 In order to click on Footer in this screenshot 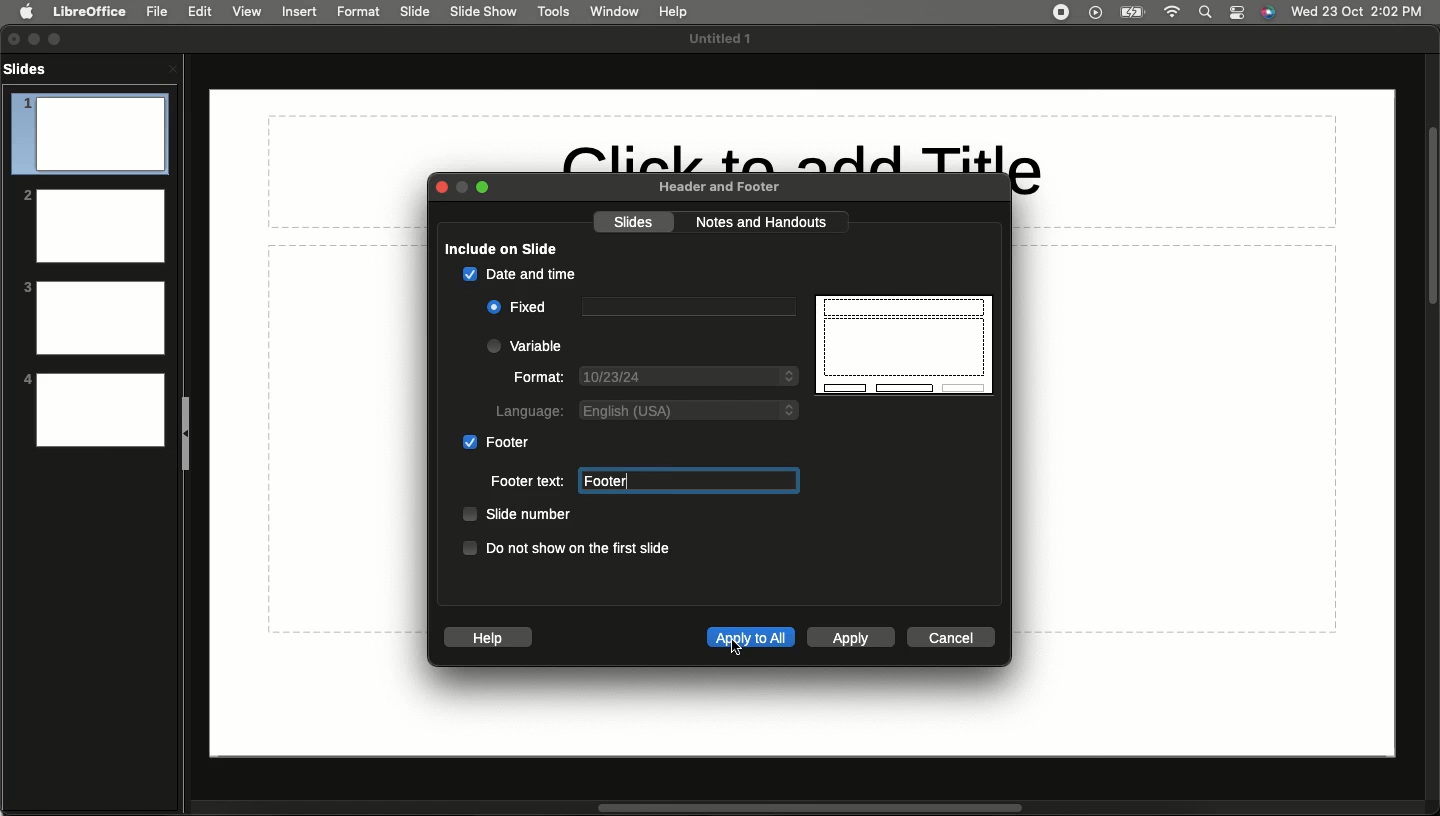, I will do `click(495, 442)`.